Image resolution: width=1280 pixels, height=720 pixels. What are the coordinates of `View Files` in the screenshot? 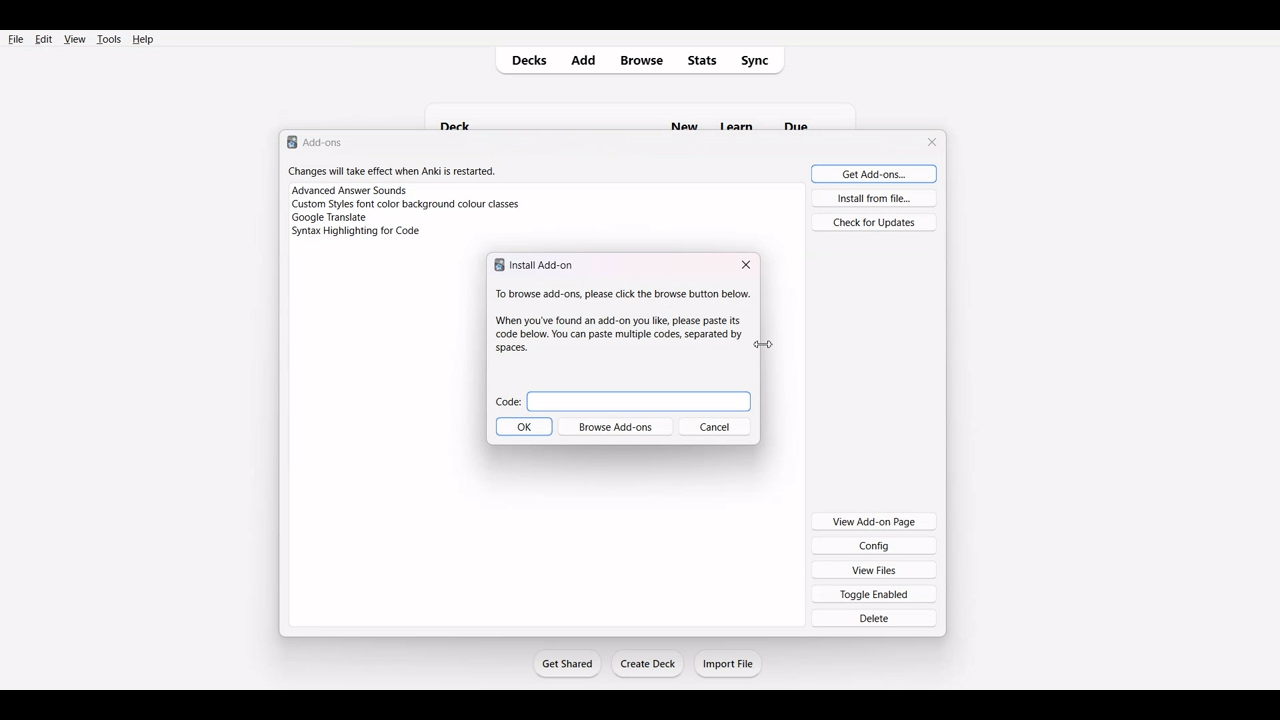 It's located at (875, 569).